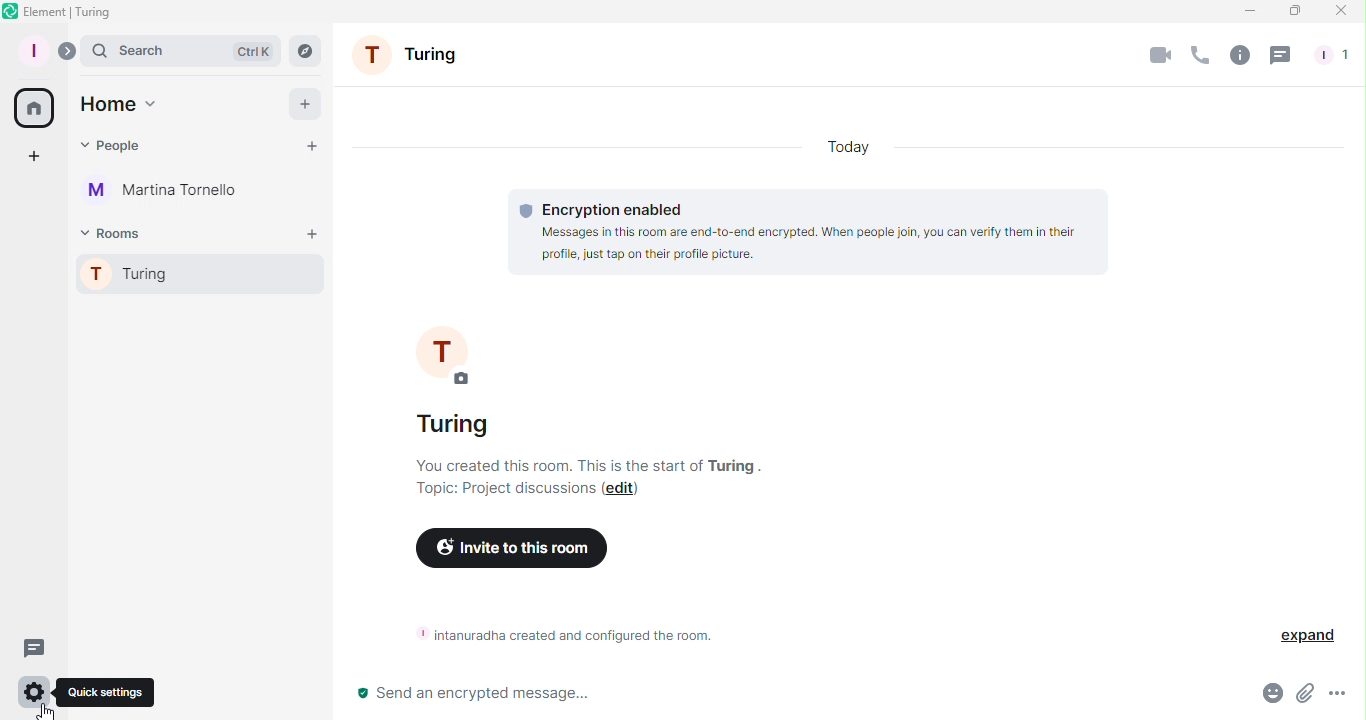  Describe the element at coordinates (842, 145) in the screenshot. I see `Today` at that location.